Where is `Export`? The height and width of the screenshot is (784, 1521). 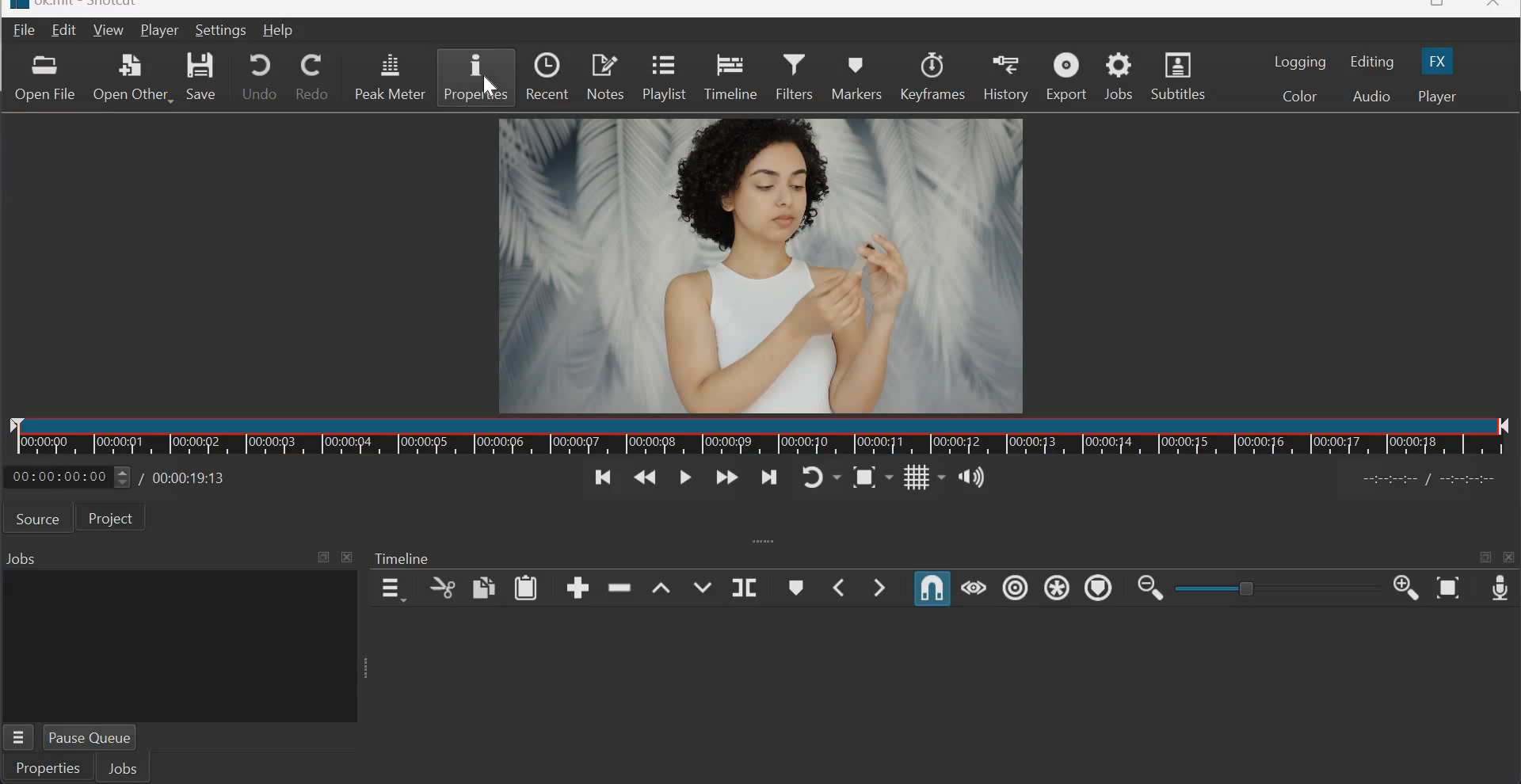
Export is located at coordinates (1066, 75).